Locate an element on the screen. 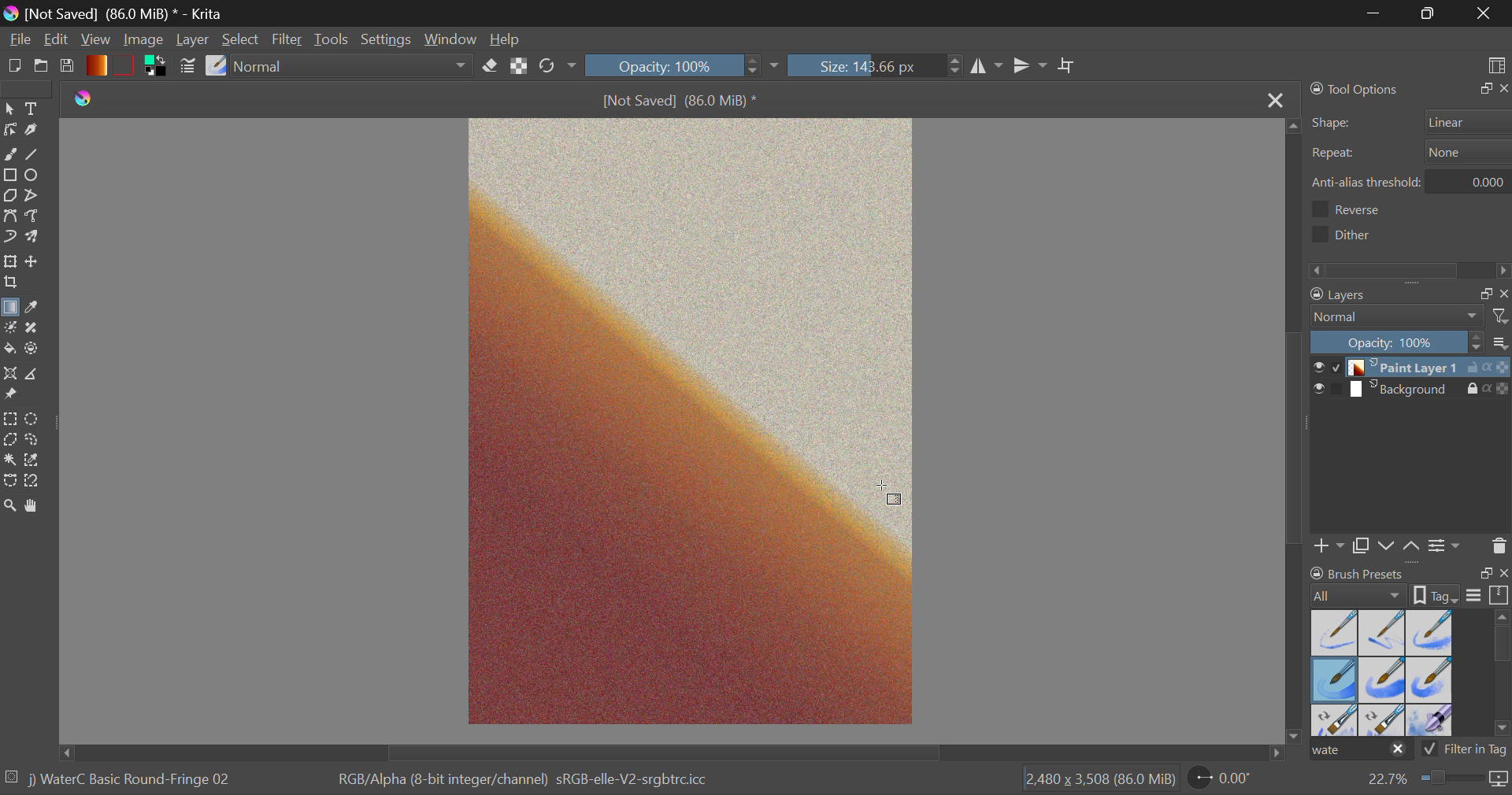  Scroll Bar is located at coordinates (670, 753).